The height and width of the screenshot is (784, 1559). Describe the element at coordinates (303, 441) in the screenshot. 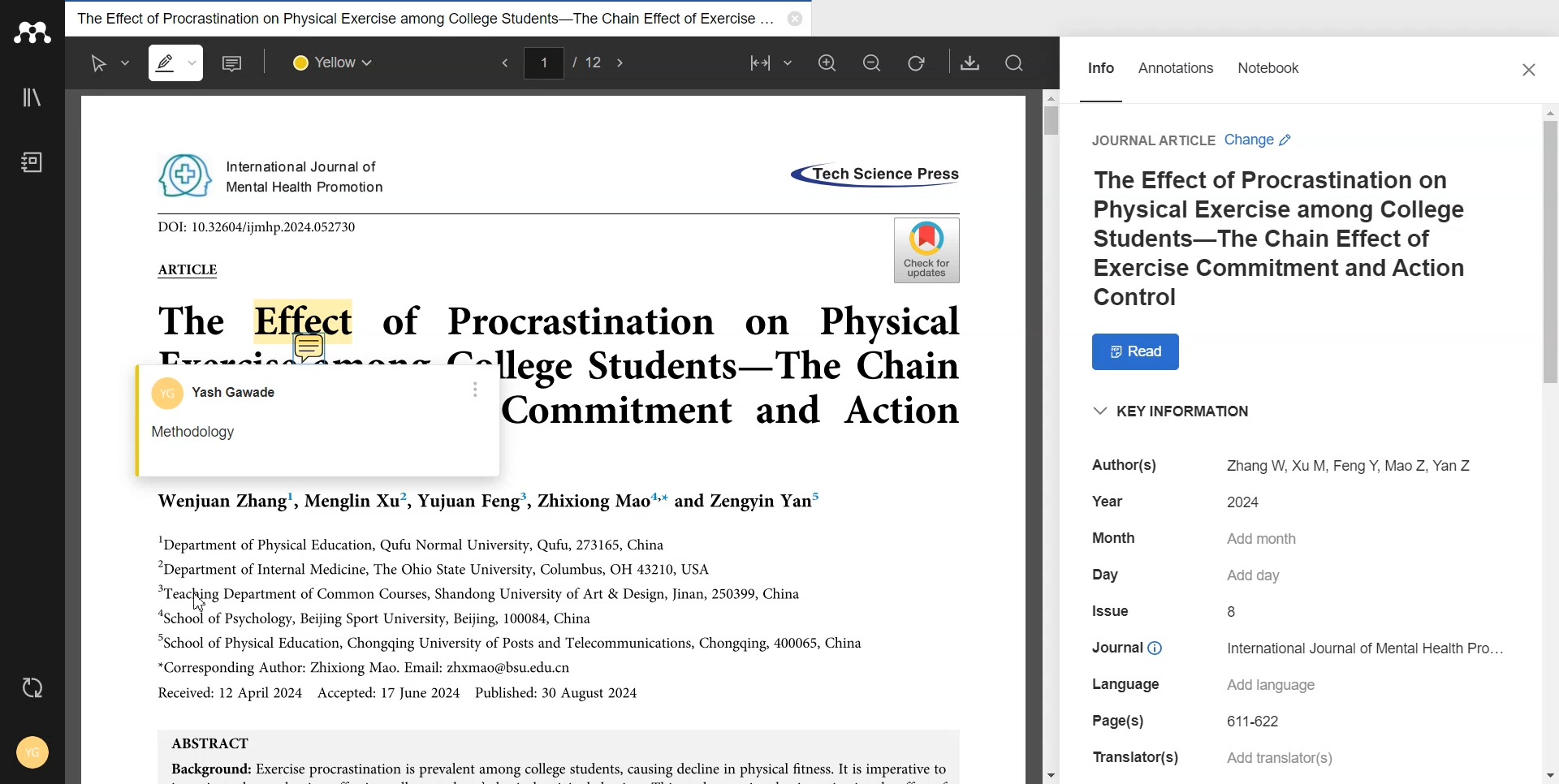

I see `Methodology` at that location.